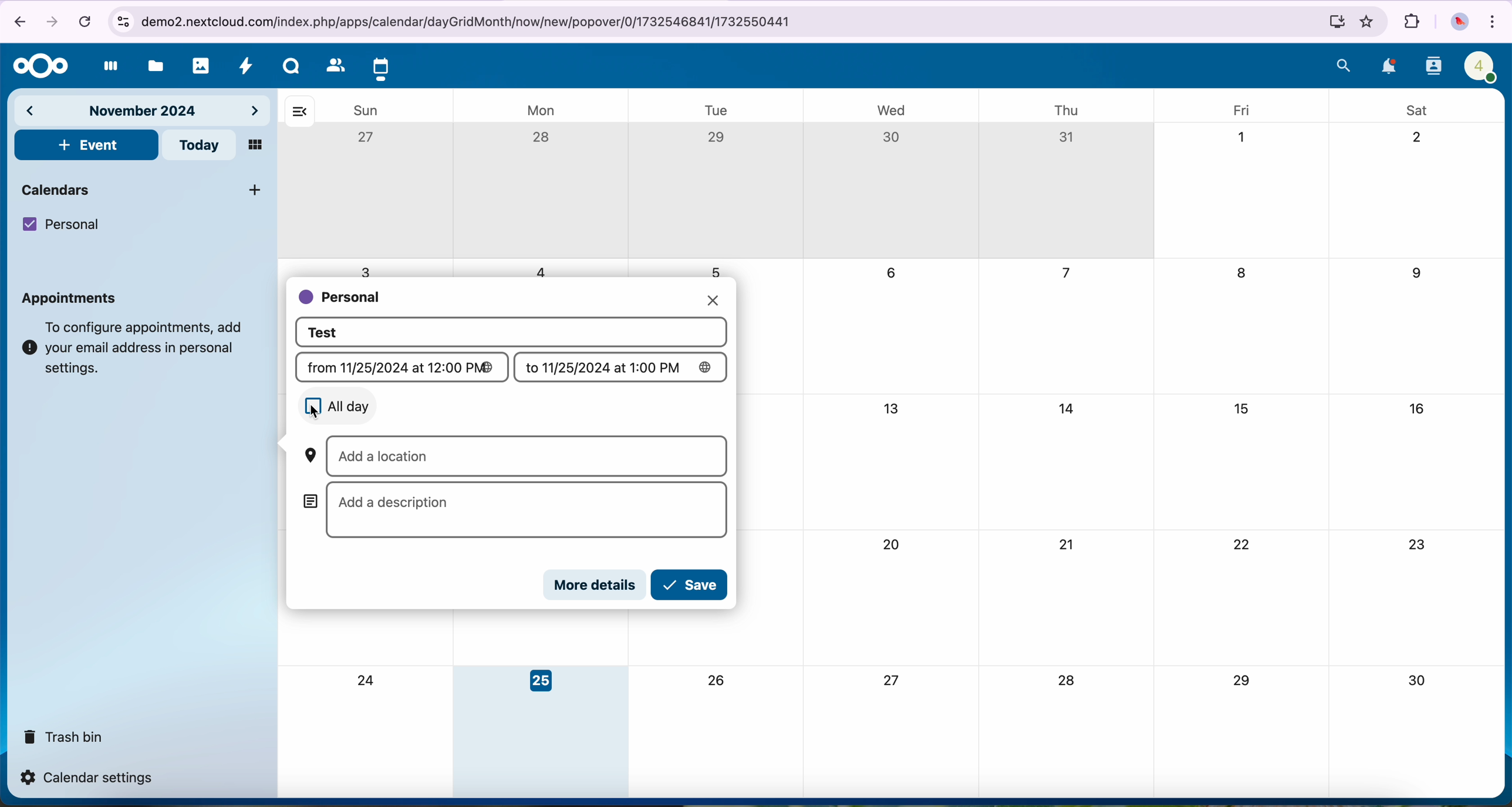  Describe the element at coordinates (291, 66) in the screenshot. I see `Talk` at that location.